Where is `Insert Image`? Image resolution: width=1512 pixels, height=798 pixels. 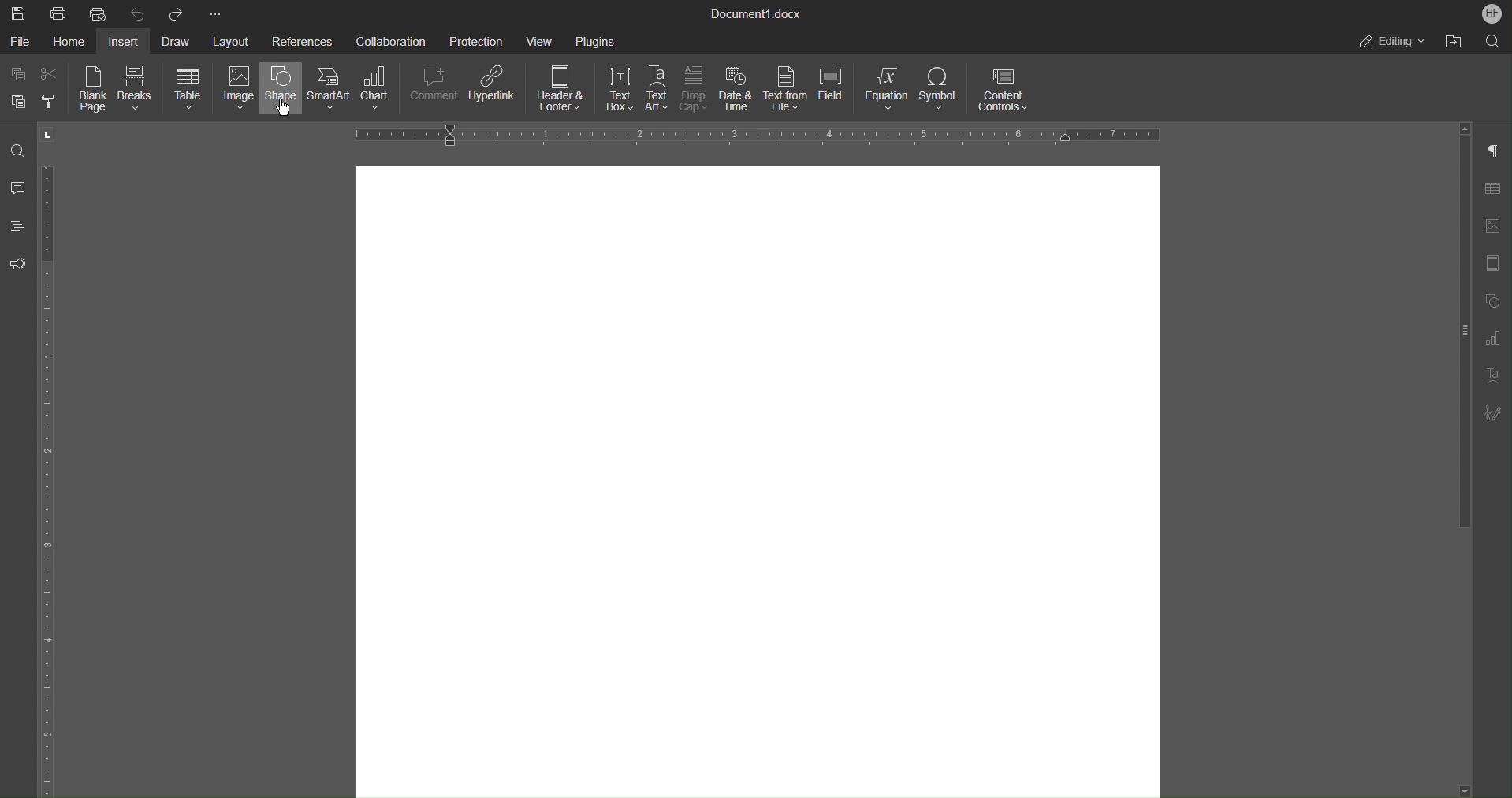
Insert Image is located at coordinates (1497, 226).